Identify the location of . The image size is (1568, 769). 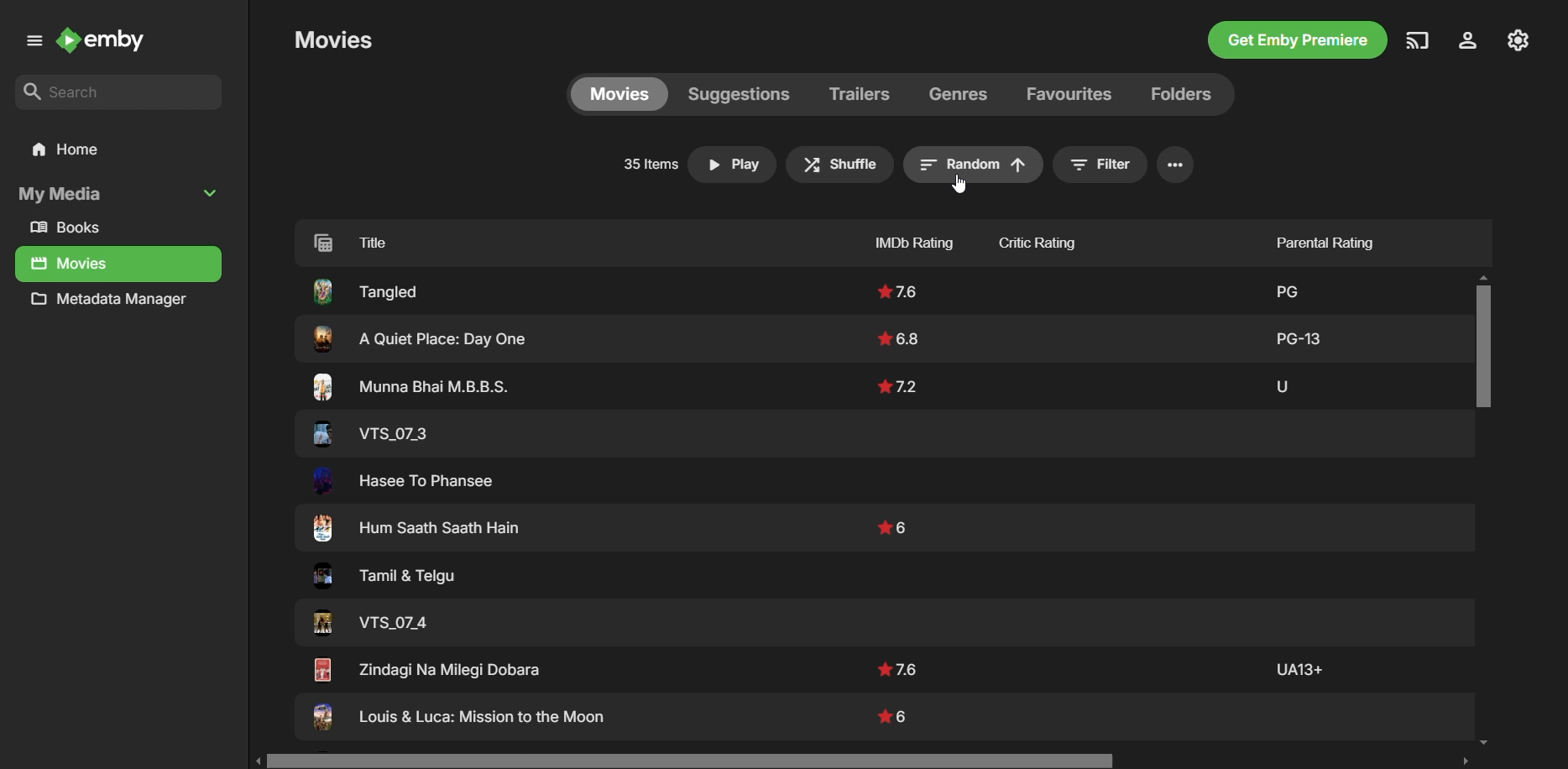
(895, 714).